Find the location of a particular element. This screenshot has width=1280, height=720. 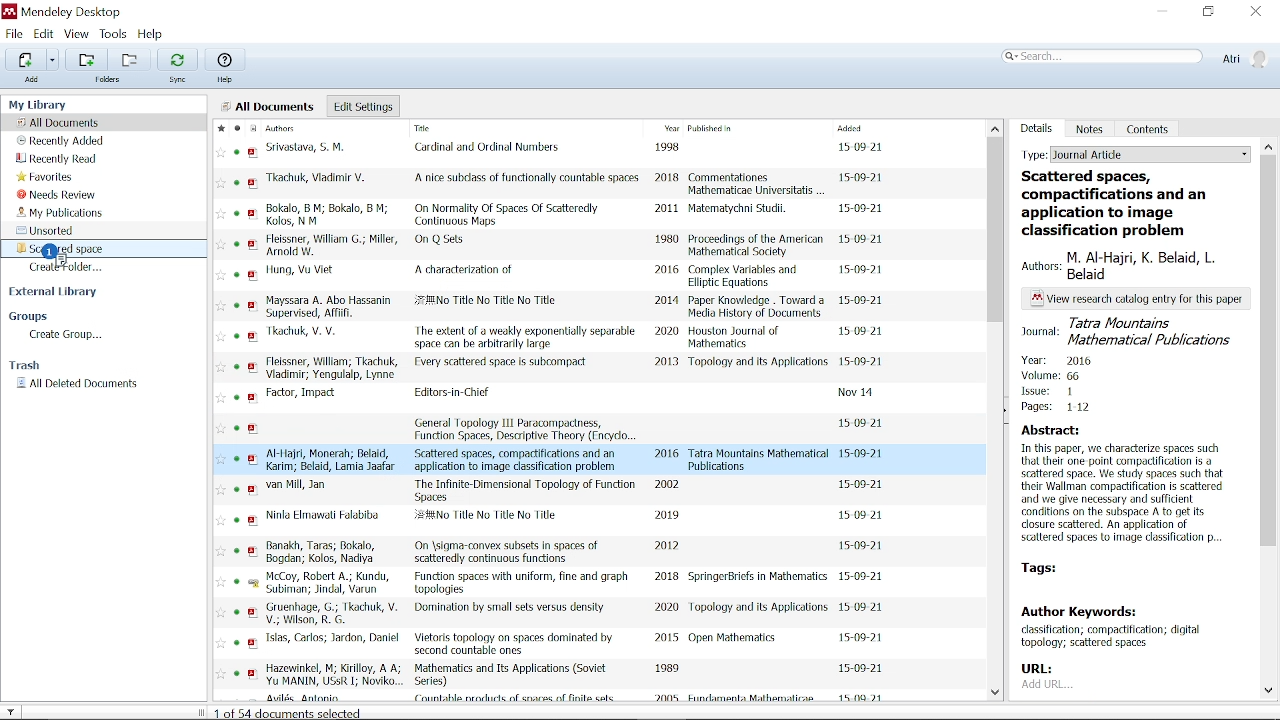

Document format is located at coordinates (252, 128).